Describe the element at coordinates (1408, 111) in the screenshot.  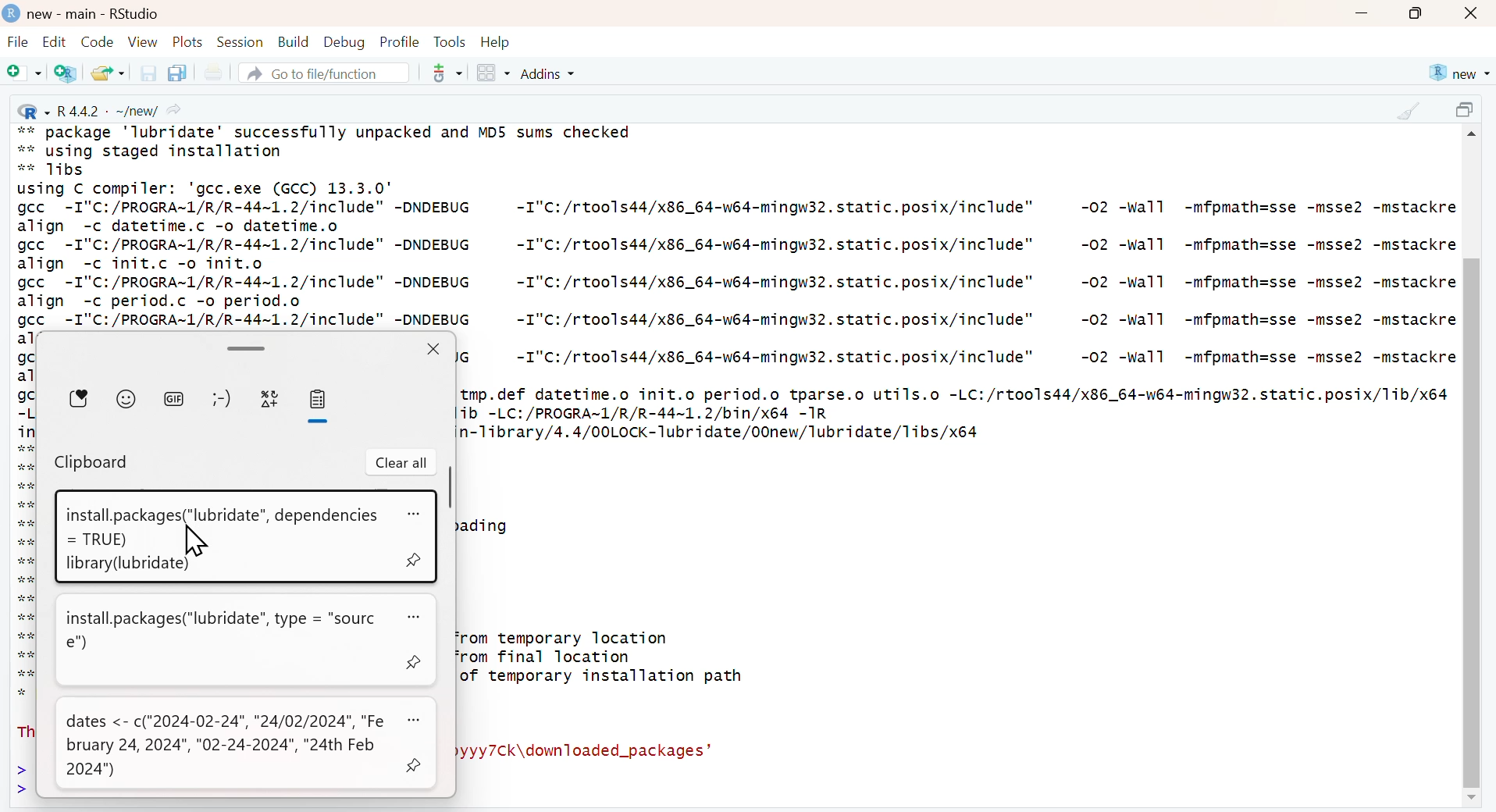
I see `clear console` at that location.